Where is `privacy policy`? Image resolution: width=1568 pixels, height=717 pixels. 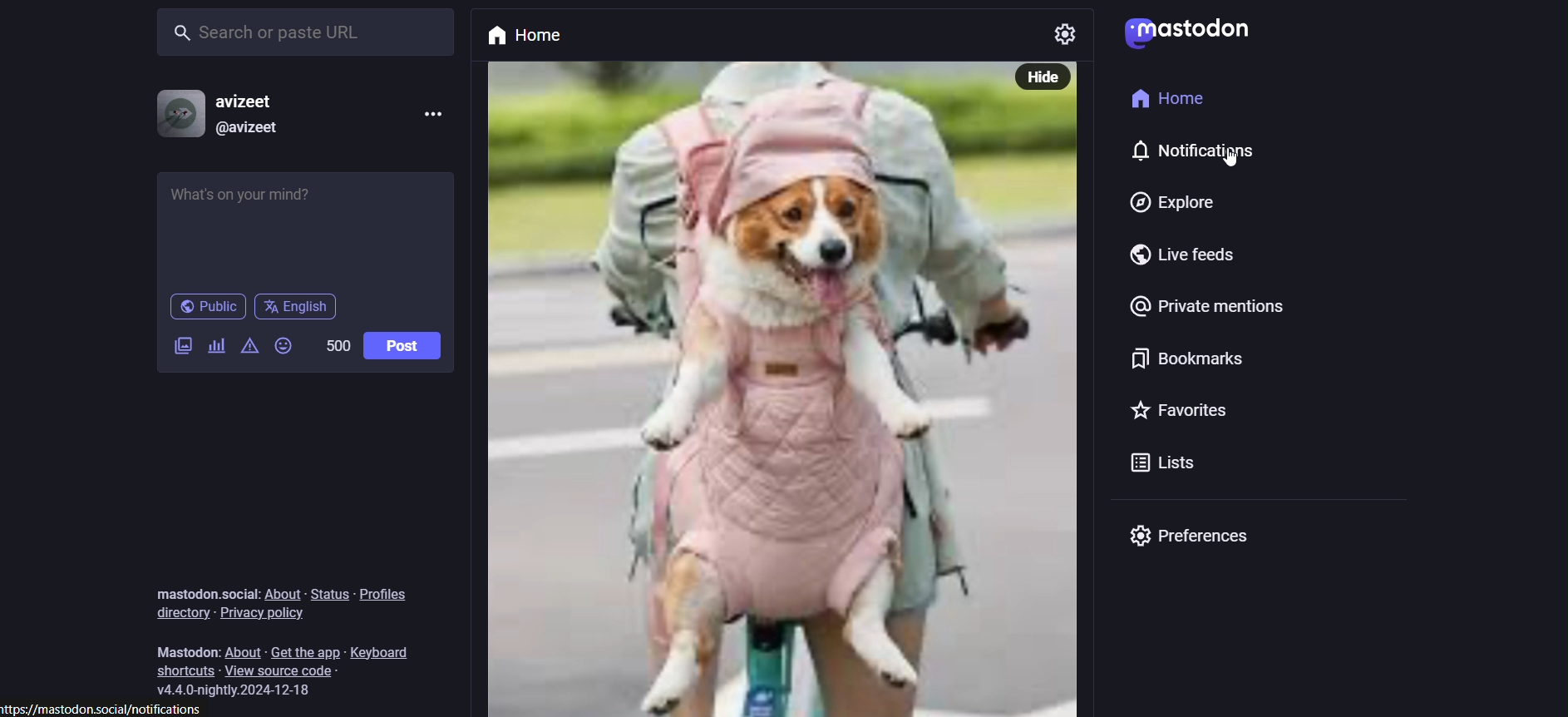
privacy policy is located at coordinates (266, 614).